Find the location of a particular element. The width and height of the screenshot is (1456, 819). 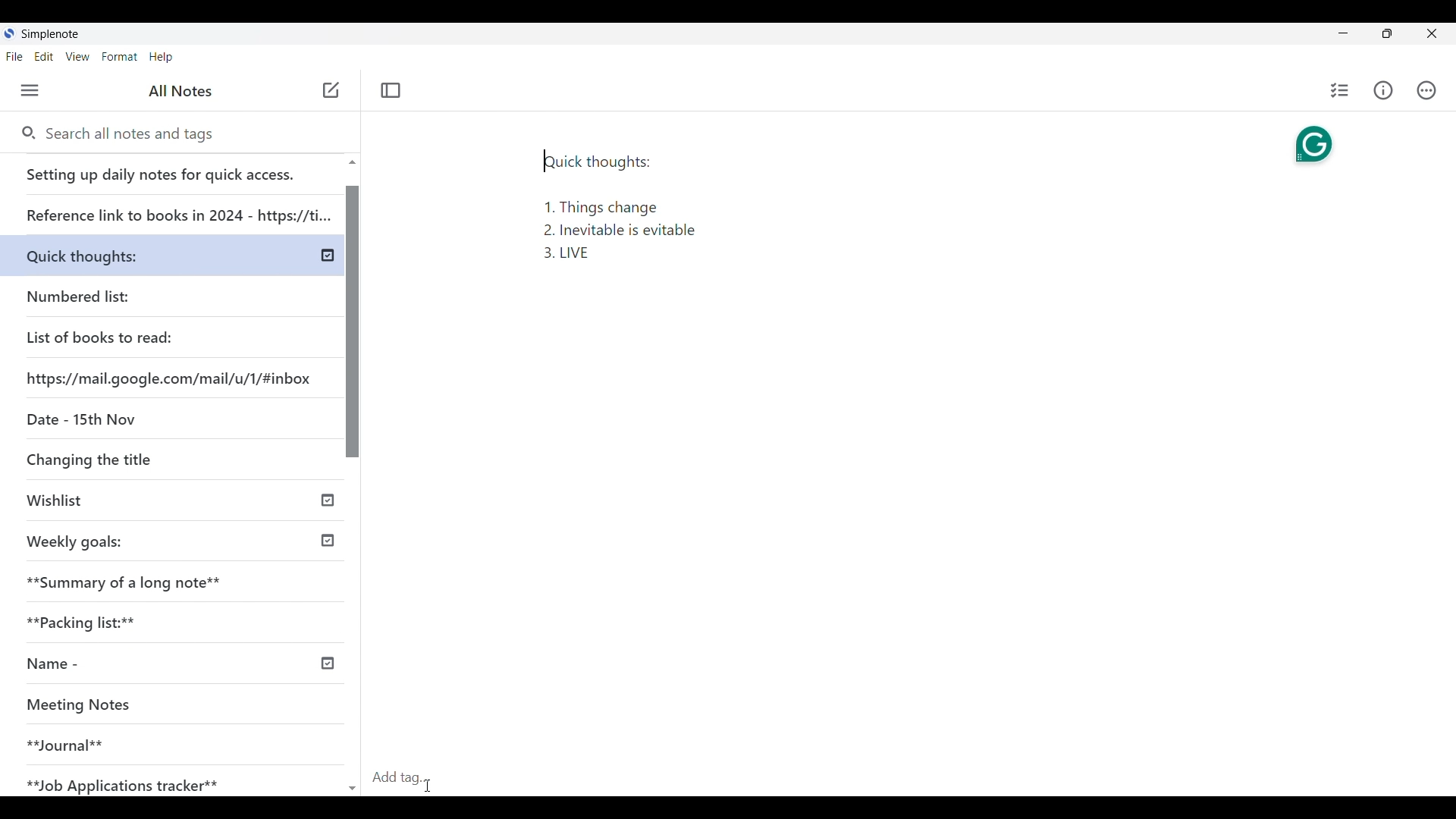

add tag is located at coordinates (409, 776).